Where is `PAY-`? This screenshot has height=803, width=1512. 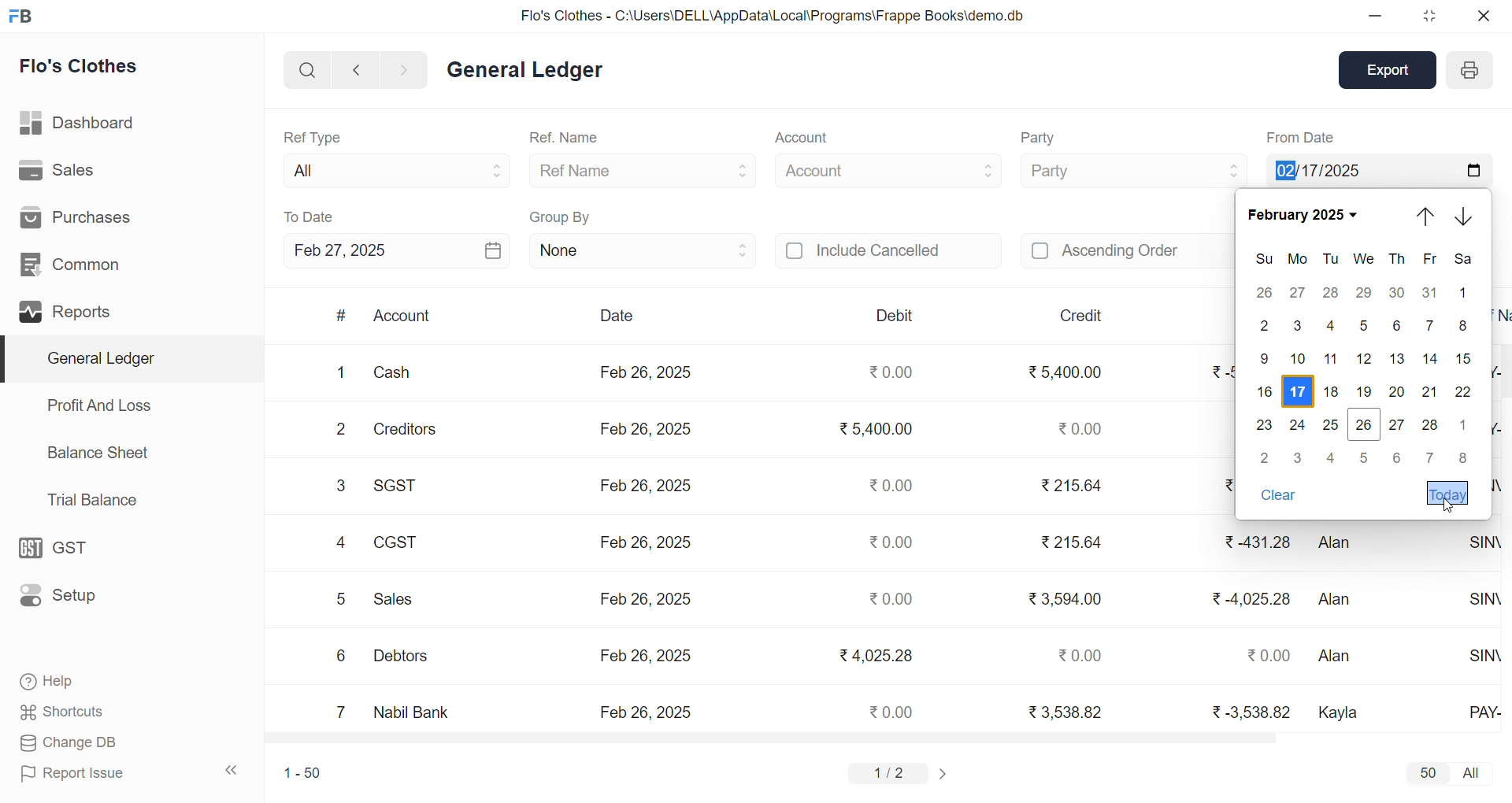 PAY- is located at coordinates (1482, 712).